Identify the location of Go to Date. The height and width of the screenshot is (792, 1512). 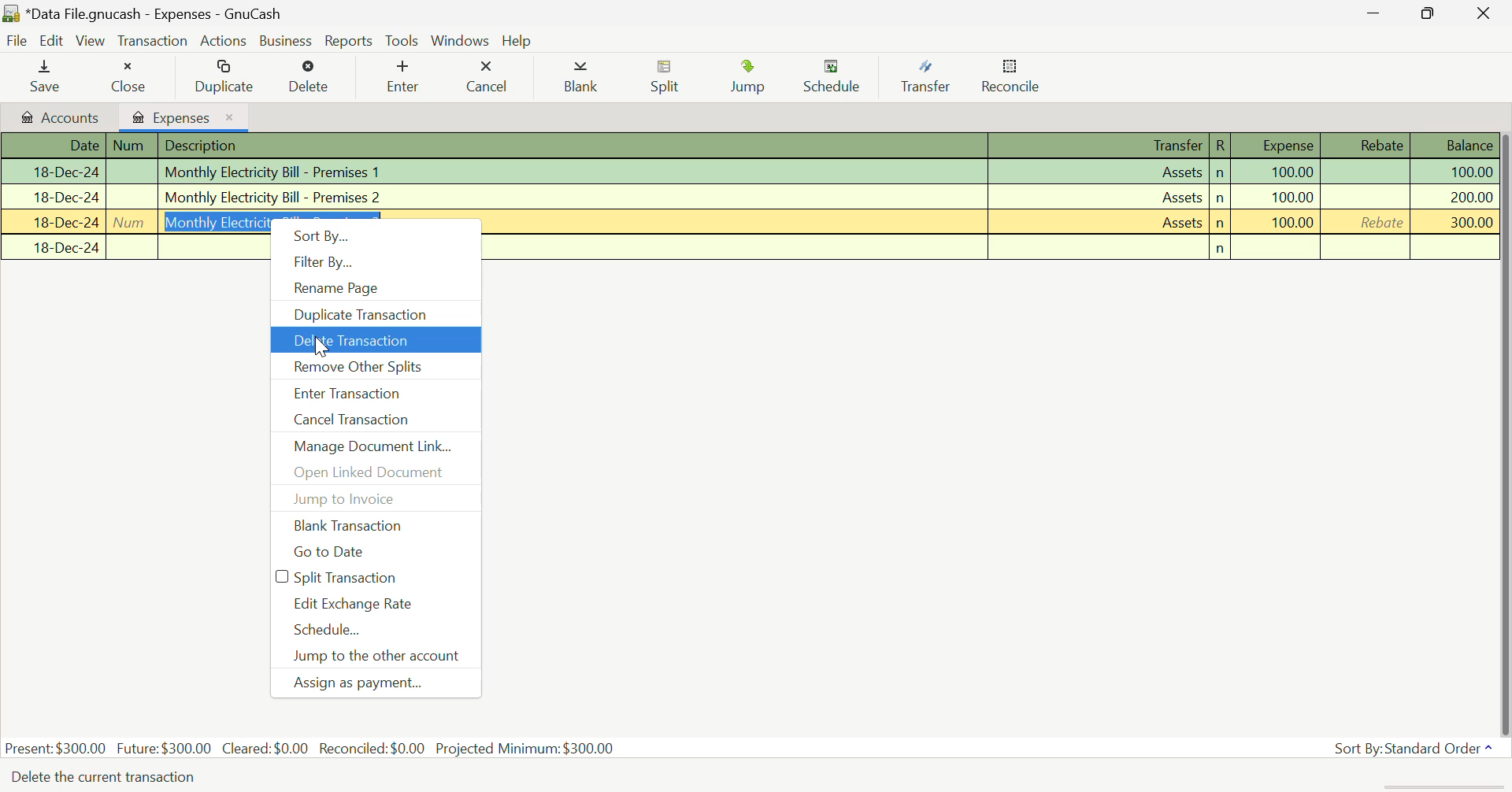
(377, 553).